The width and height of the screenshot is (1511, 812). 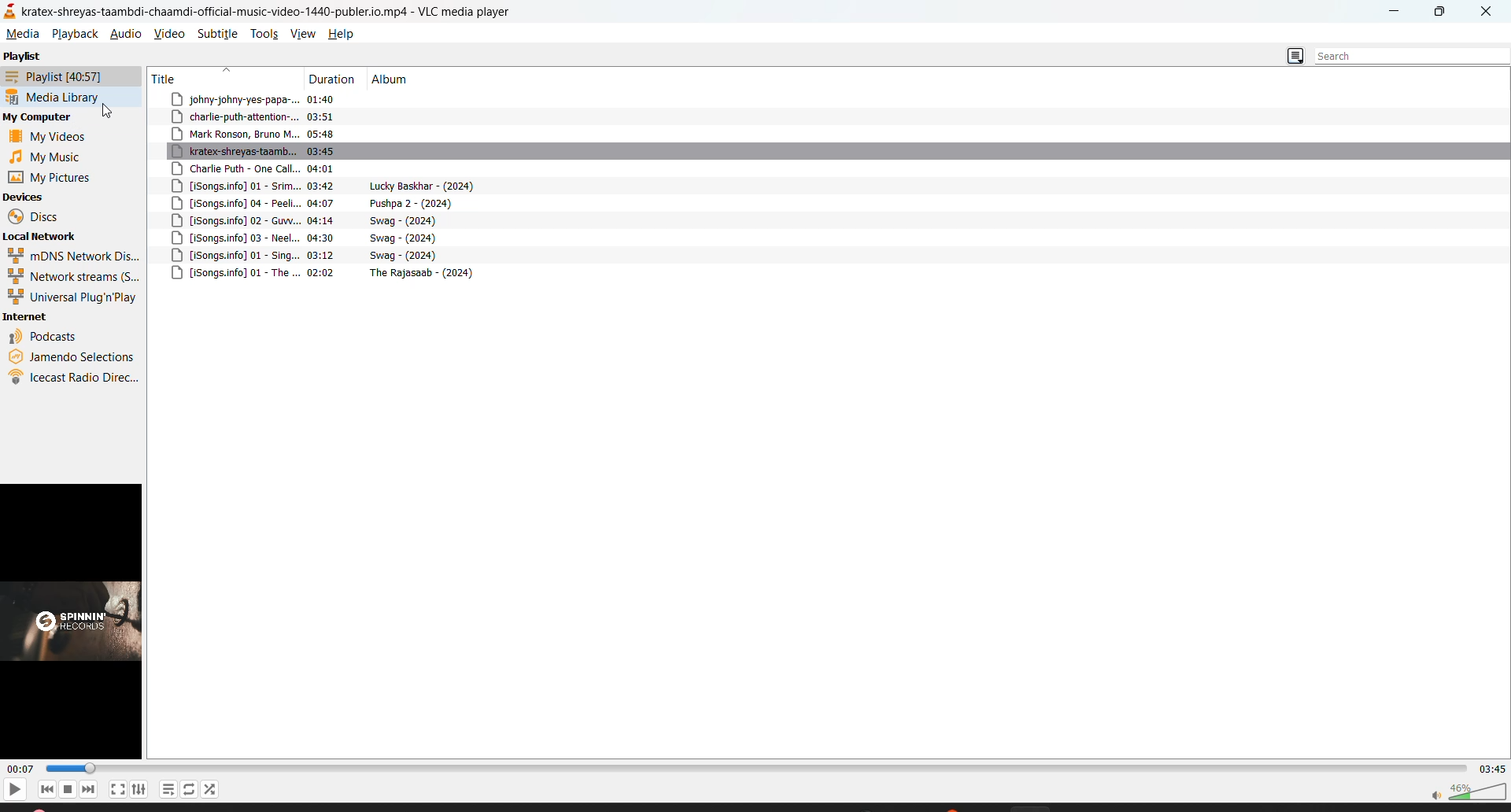 What do you see at coordinates (91, 788) in the screenshot?
I see `next` at bounding box center [91, 788].